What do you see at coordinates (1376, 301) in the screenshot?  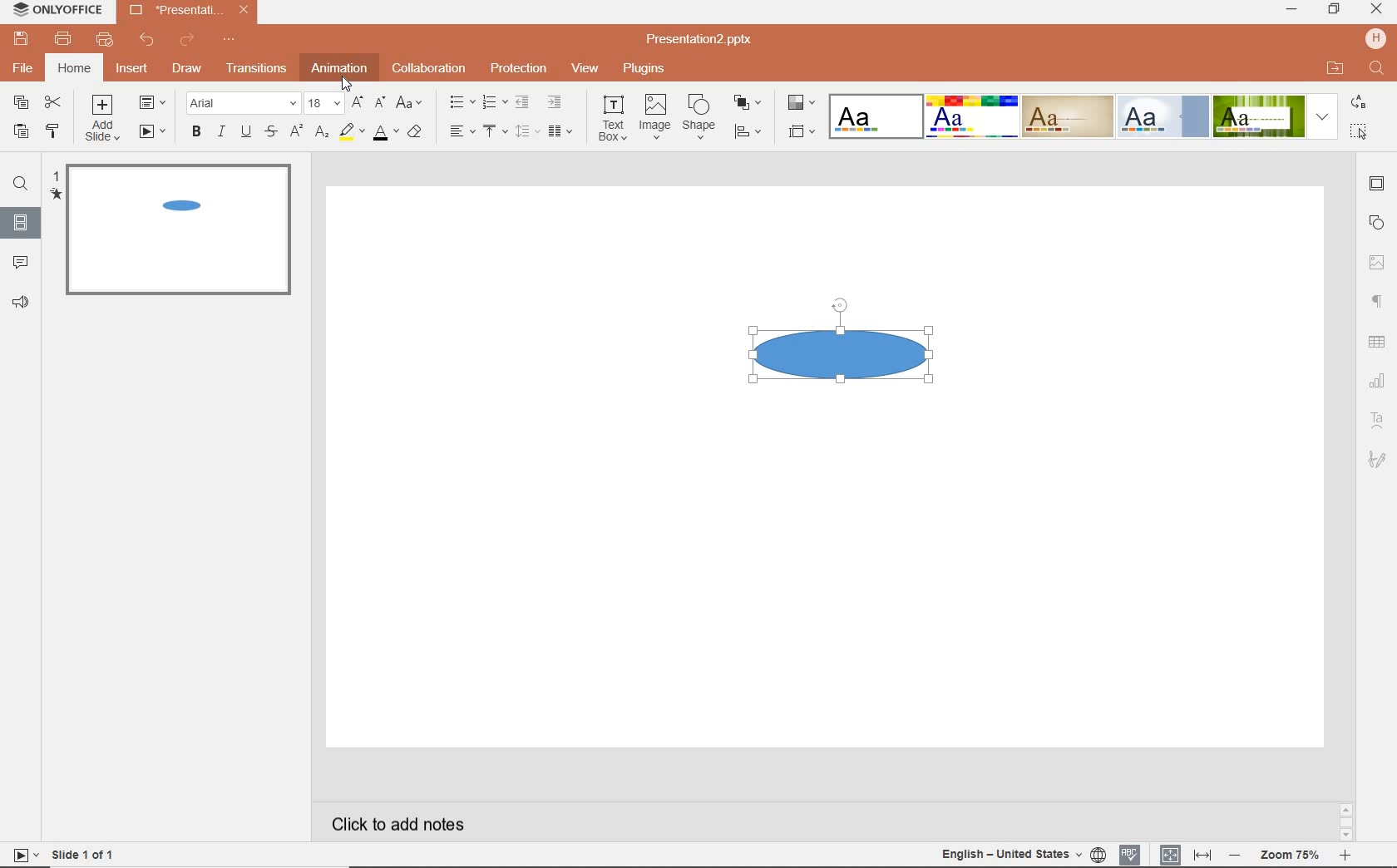 I see `paragraph settings` at bounding box center [1376, 301].